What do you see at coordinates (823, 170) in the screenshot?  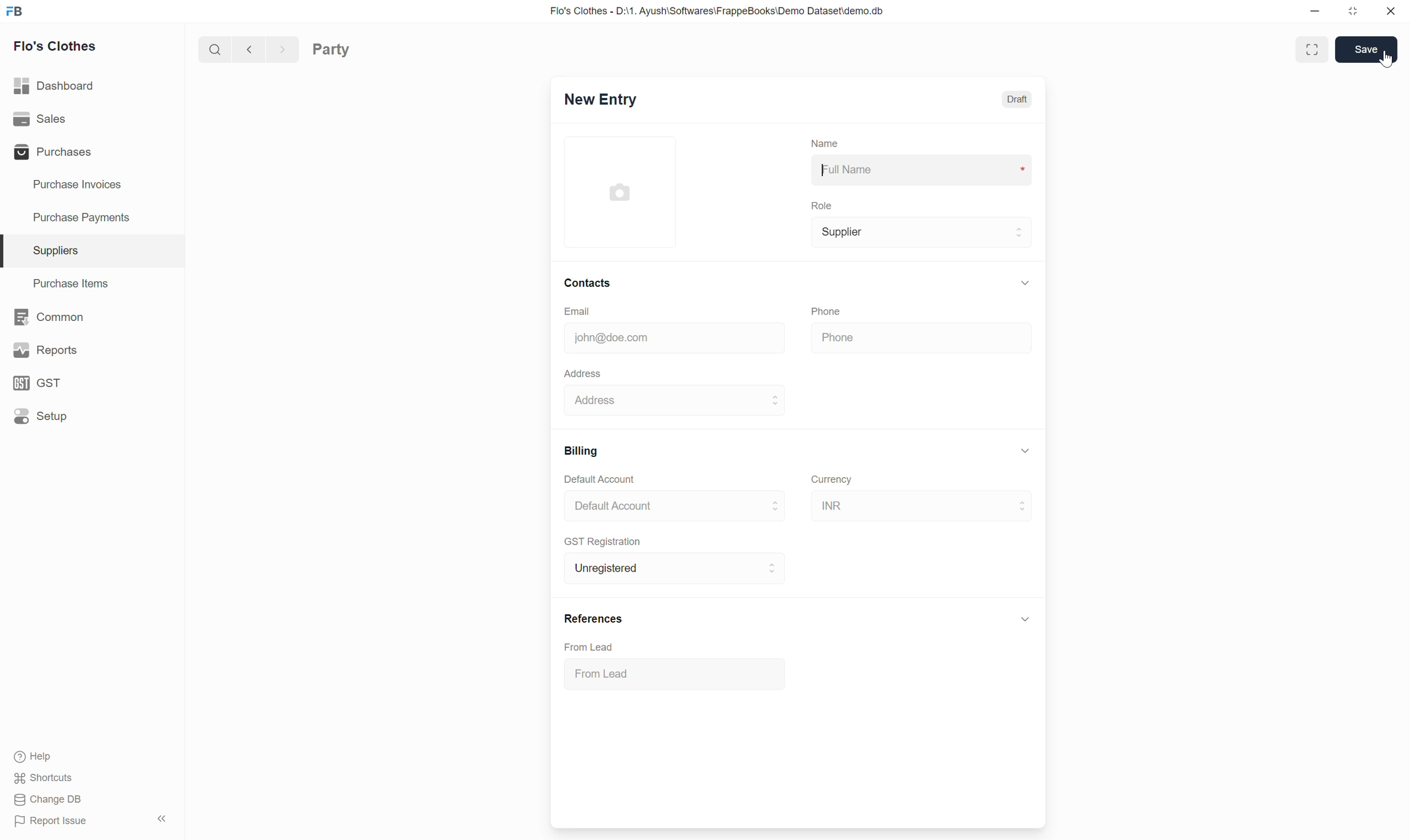 I see `Typing cursor` at bounding box center [823, 170].